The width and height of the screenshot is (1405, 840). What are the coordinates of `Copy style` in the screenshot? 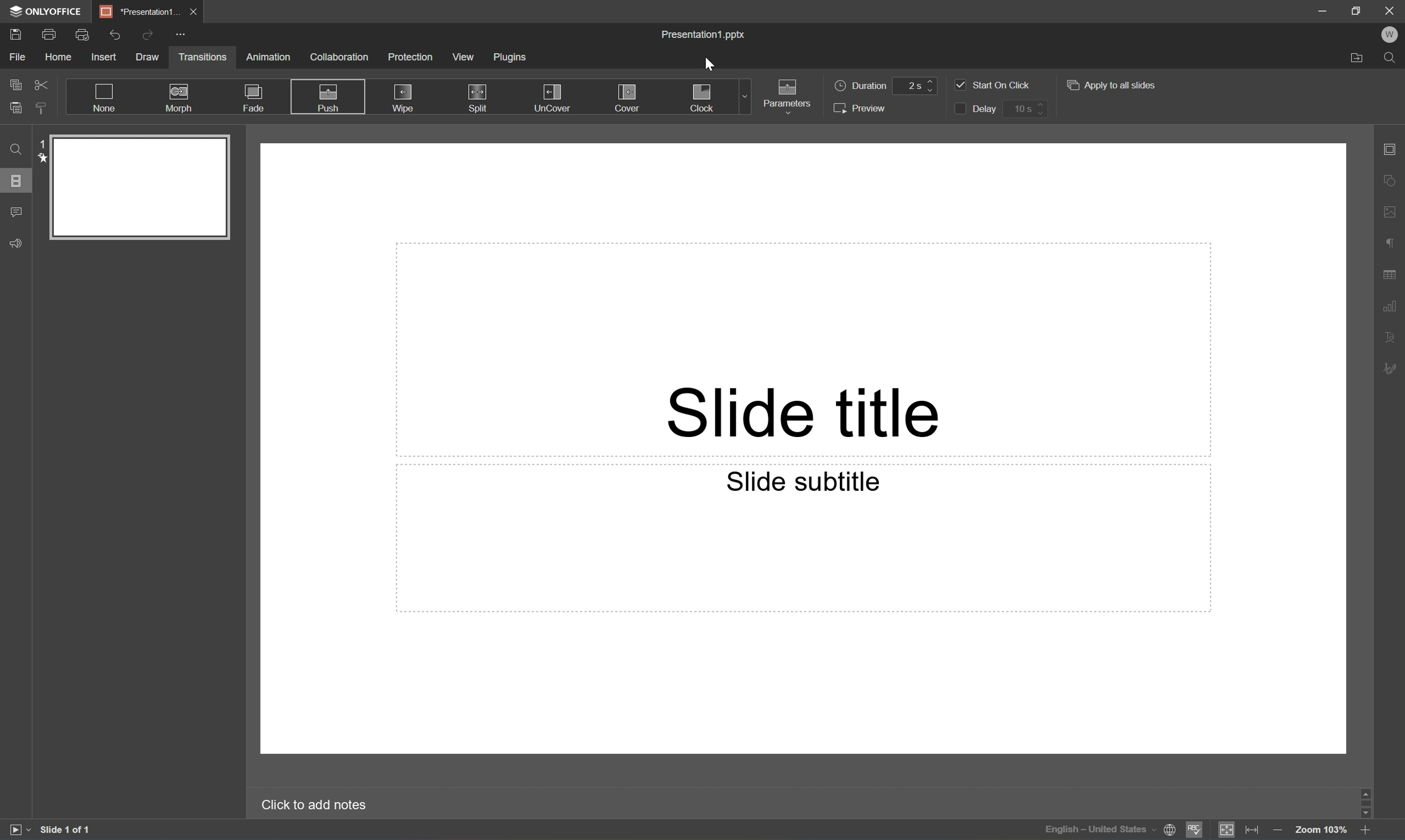 It's located at (41, 109).